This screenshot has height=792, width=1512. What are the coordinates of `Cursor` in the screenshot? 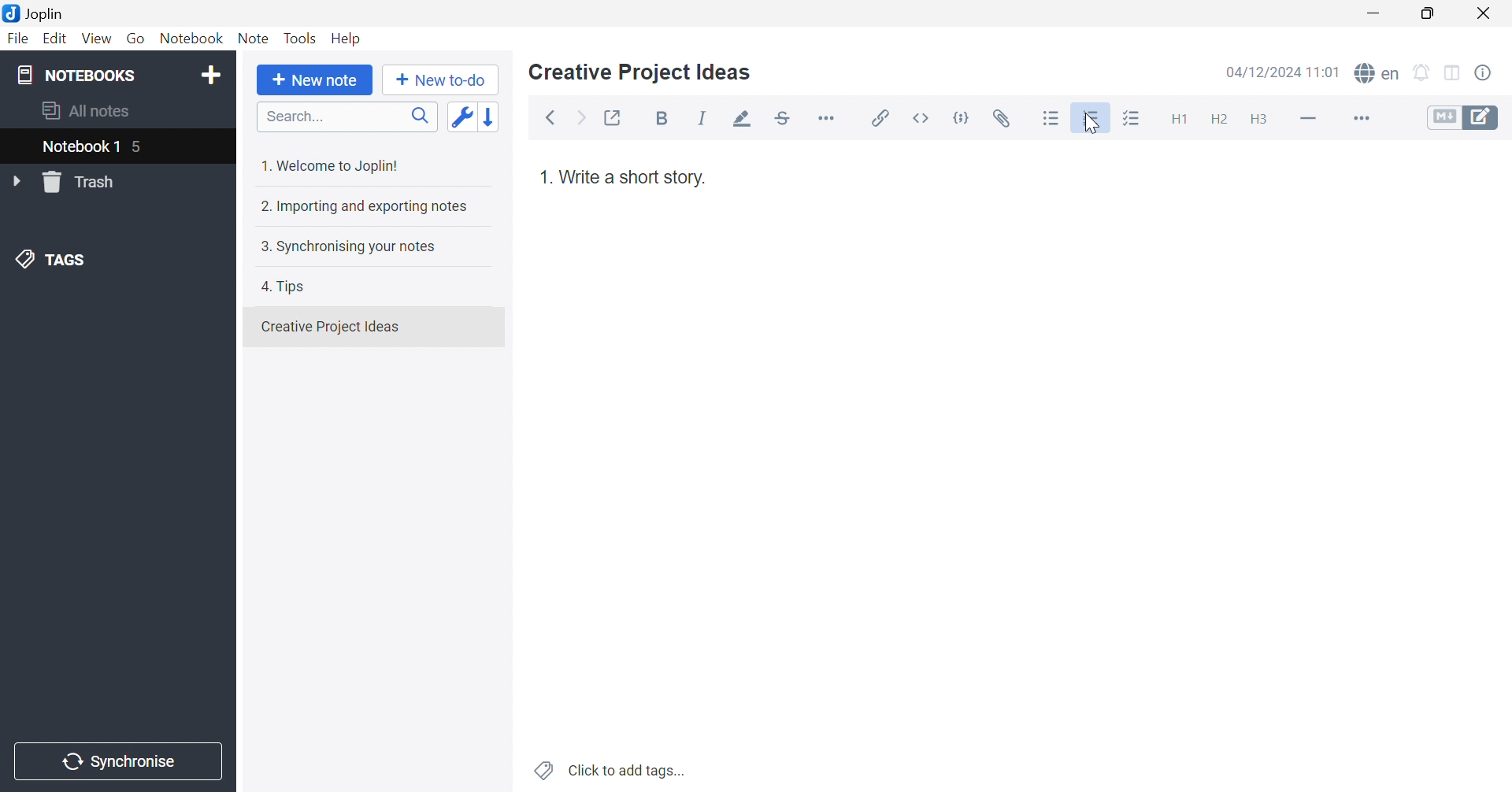 It's located at (1095, 124).